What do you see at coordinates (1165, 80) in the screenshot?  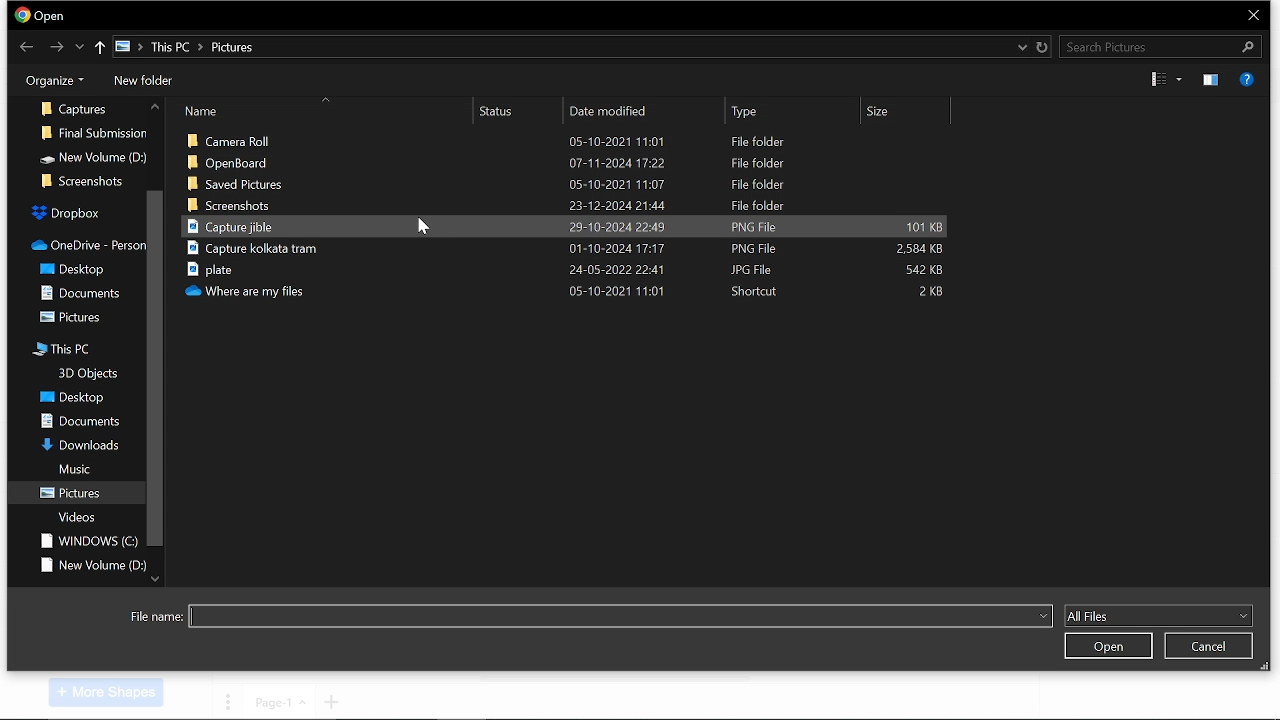 I see `view options` at bounding box center [1165, 80].